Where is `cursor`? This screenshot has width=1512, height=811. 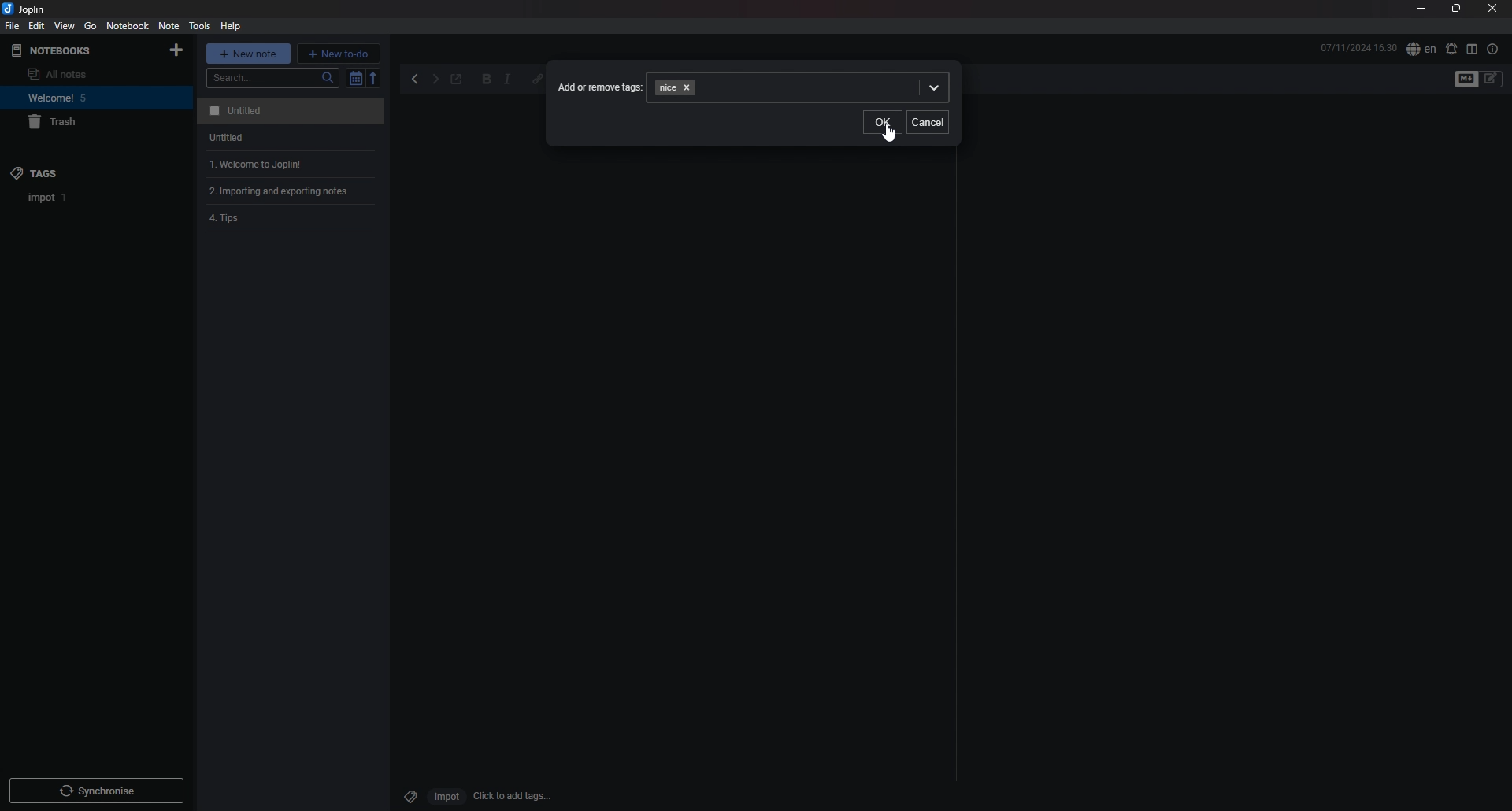 cursor is located at coordinates (889, 135).